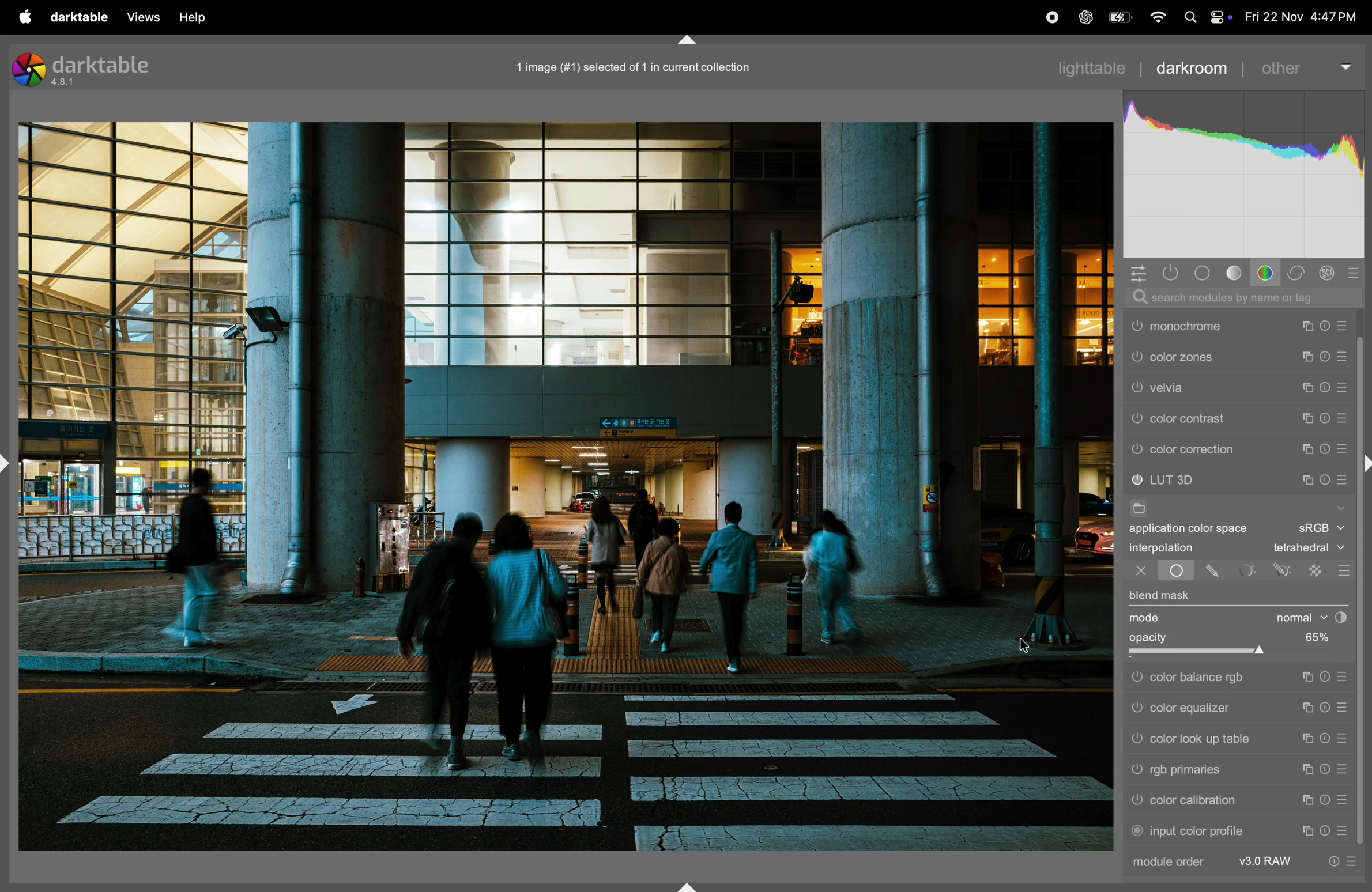  Describe the element at coordinates (1329, 273) in the screenshot. I see `effect` at that location.